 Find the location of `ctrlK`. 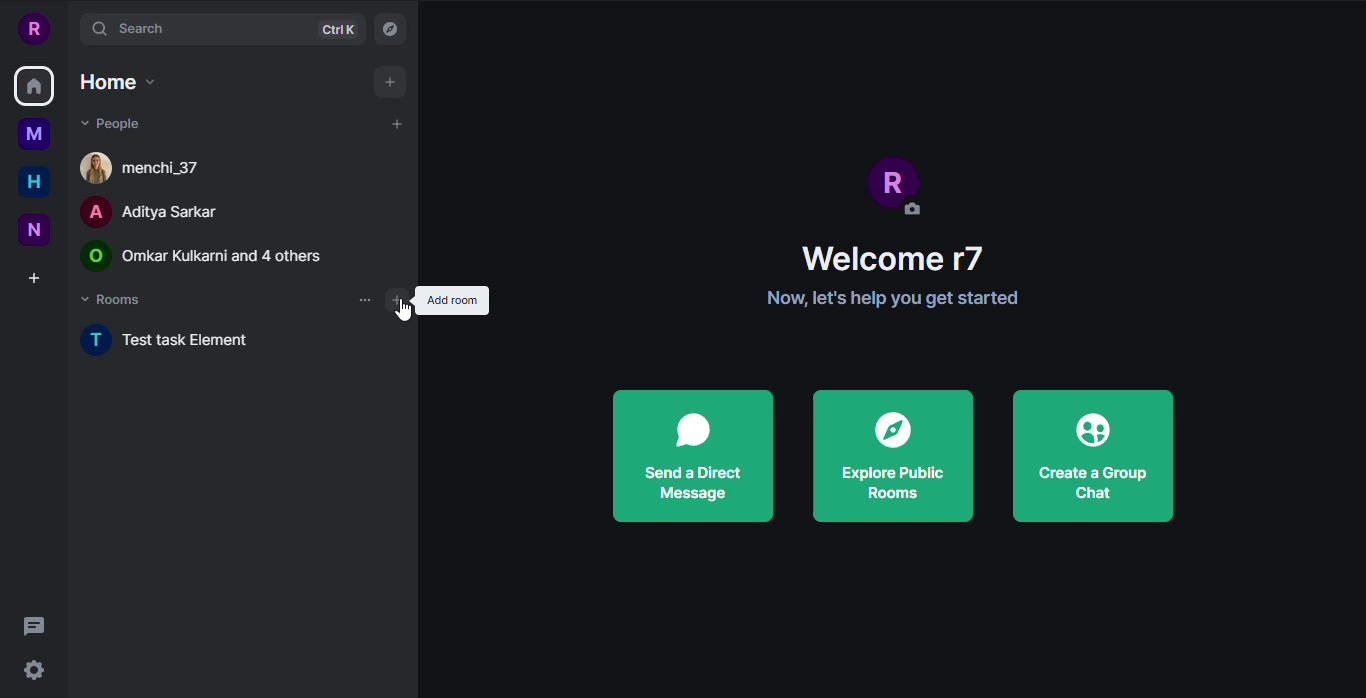

ctrlK is located at coordinates (337, 31).